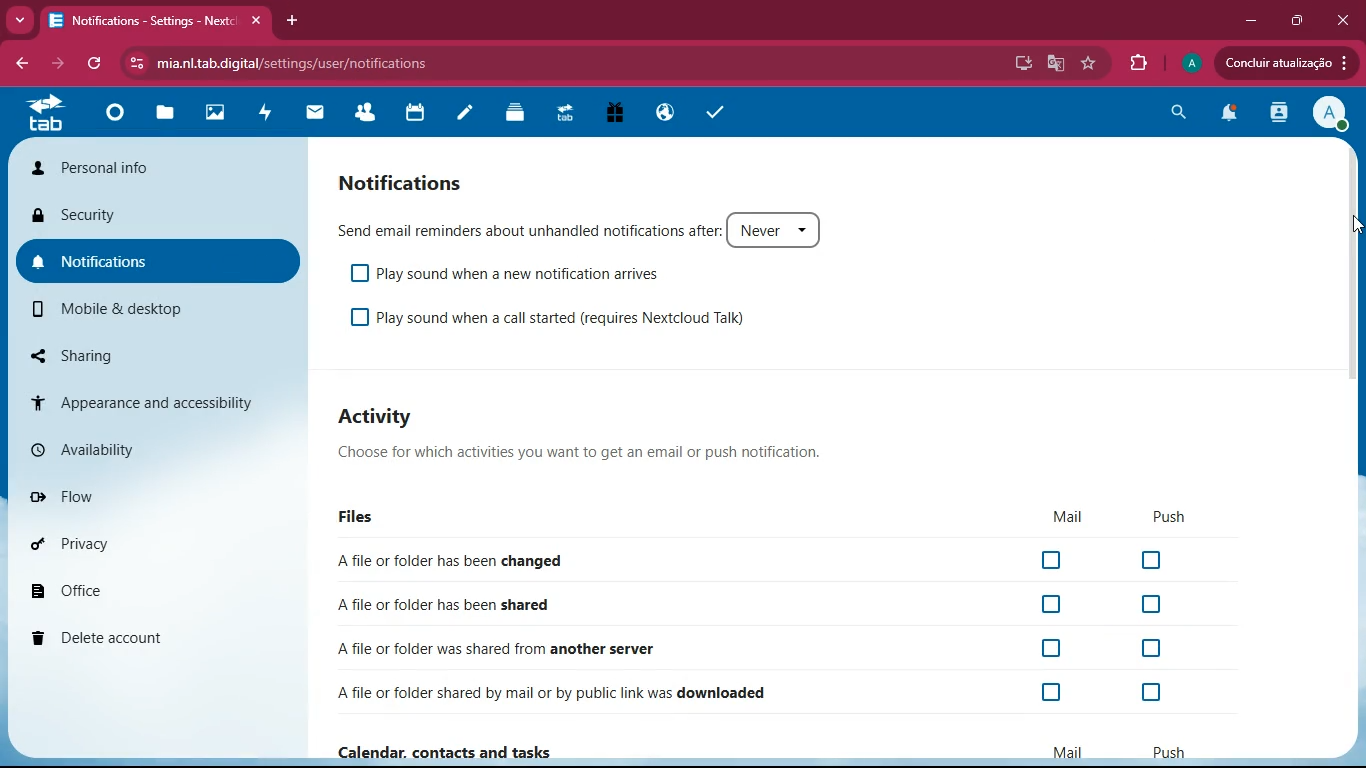 This screenshot has width=1366, height=768. I want to click on notifications, so click(1227, 116).